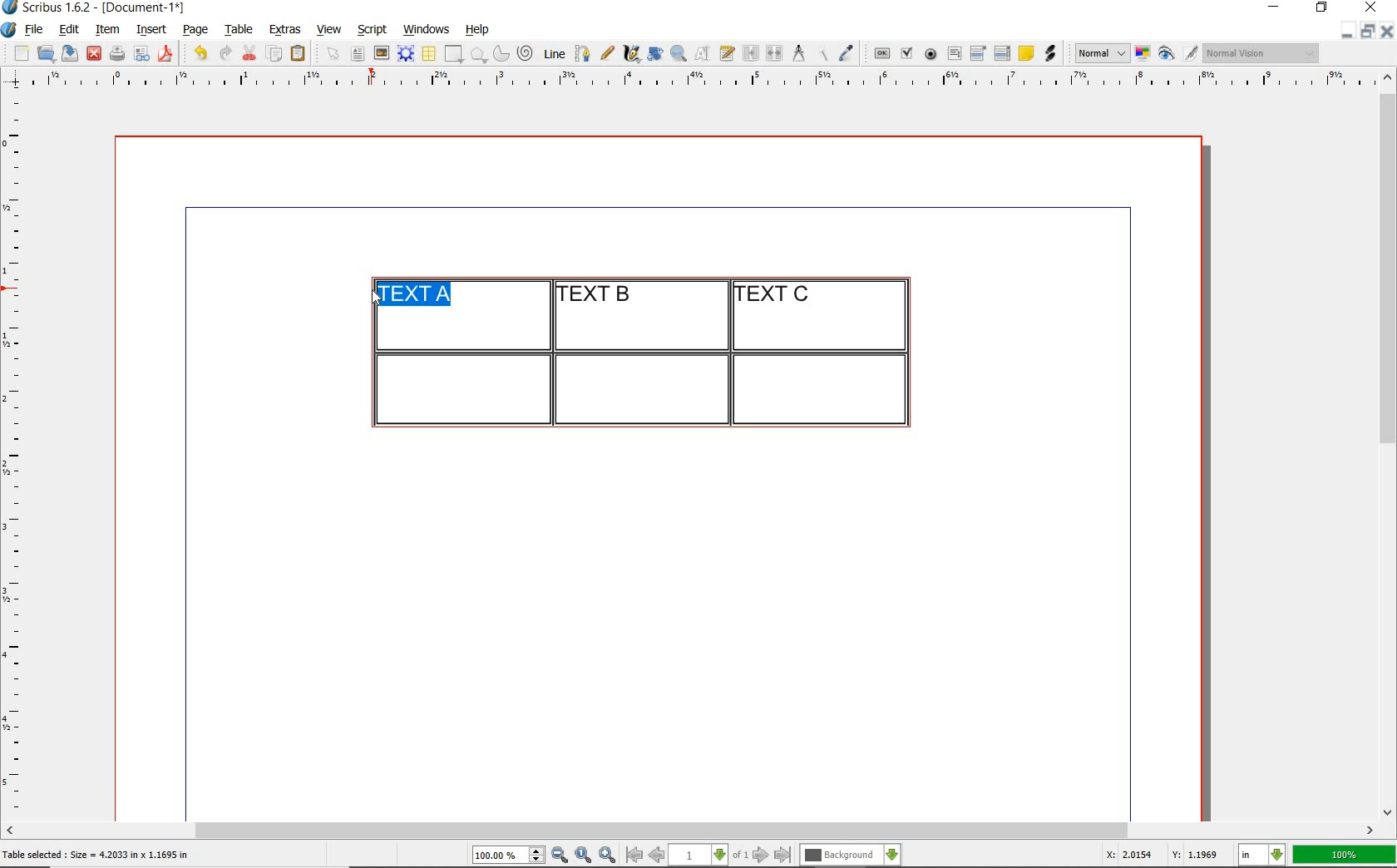 This screenshot has width=1397, height=868. I want to click on edit contents of frame, so click(703, 52).